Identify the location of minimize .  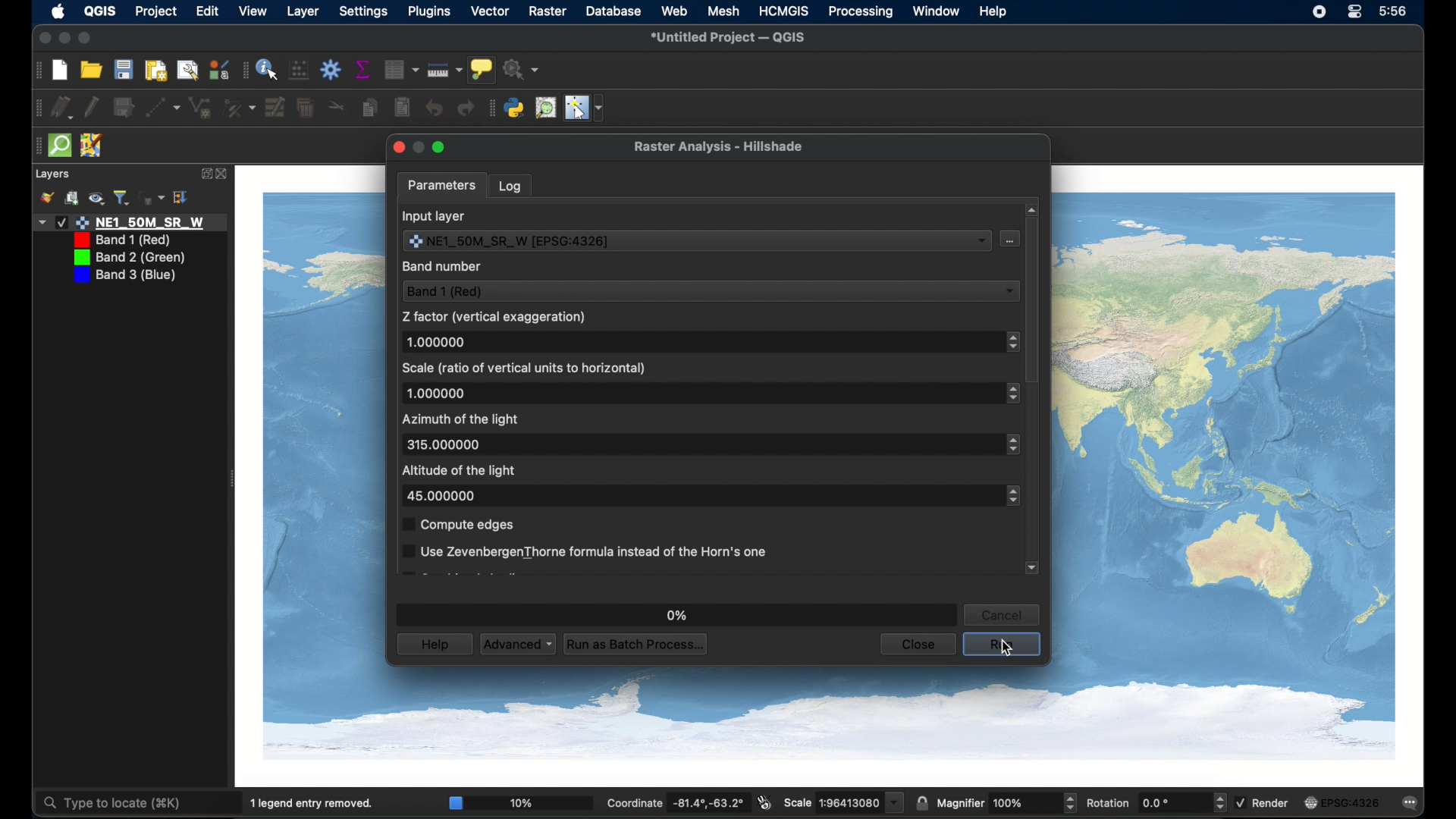
(418, 148).